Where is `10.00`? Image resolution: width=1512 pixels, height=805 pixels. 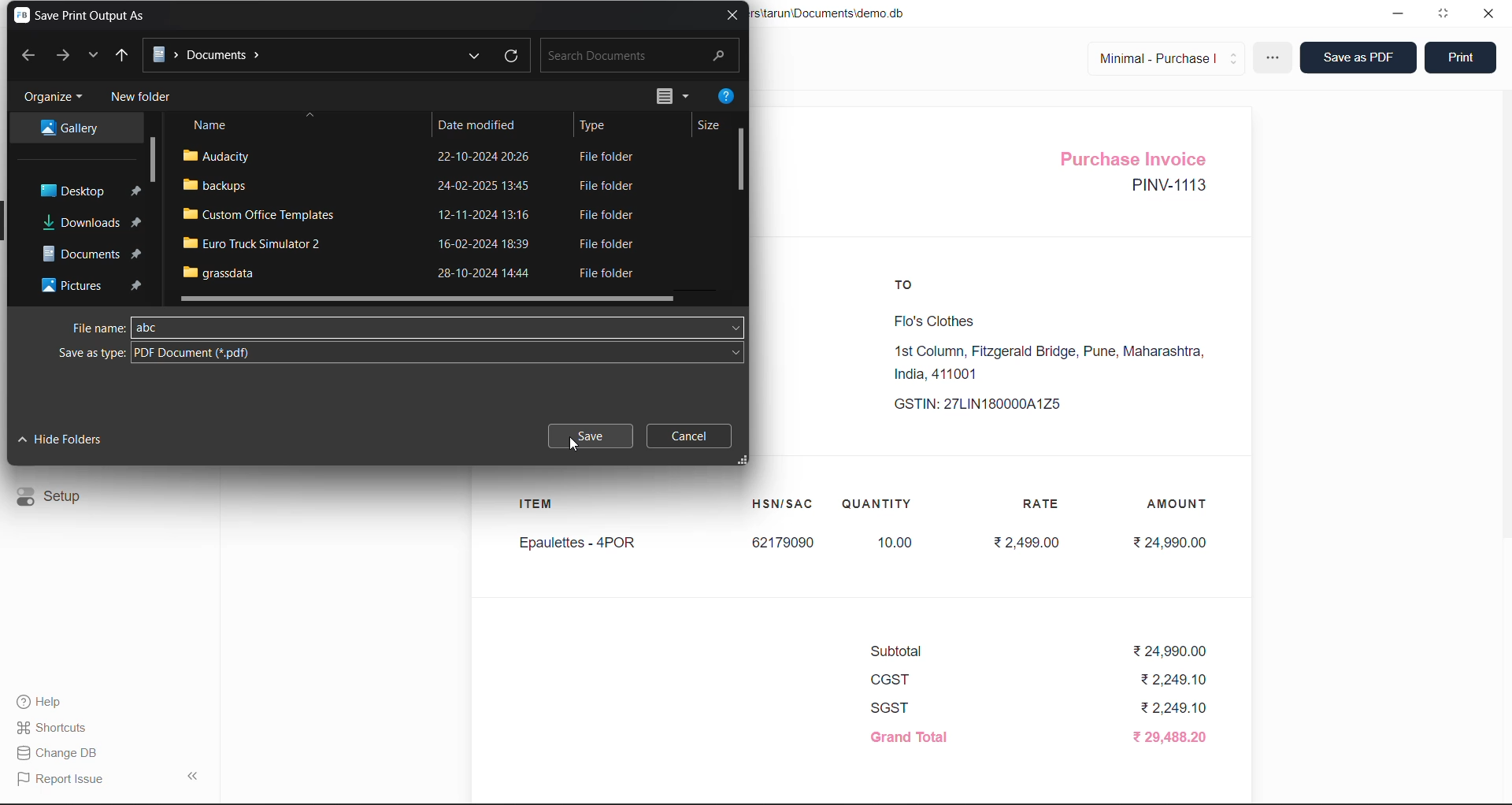
10.00 is located at coordinates (897, 542).